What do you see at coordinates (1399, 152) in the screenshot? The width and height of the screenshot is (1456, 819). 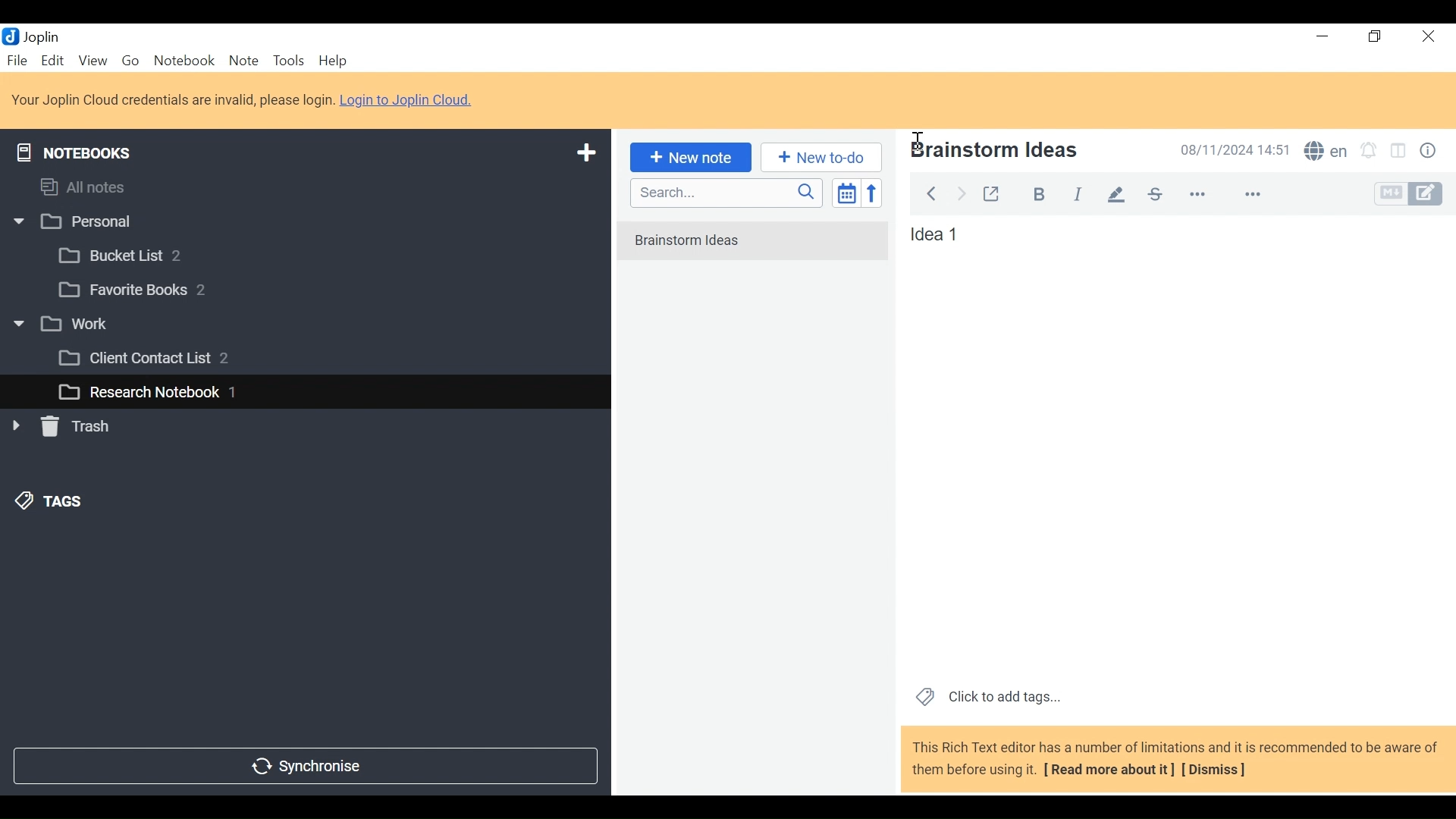 I see `Toggle Editor layout` at bounding box center [1399, 152].